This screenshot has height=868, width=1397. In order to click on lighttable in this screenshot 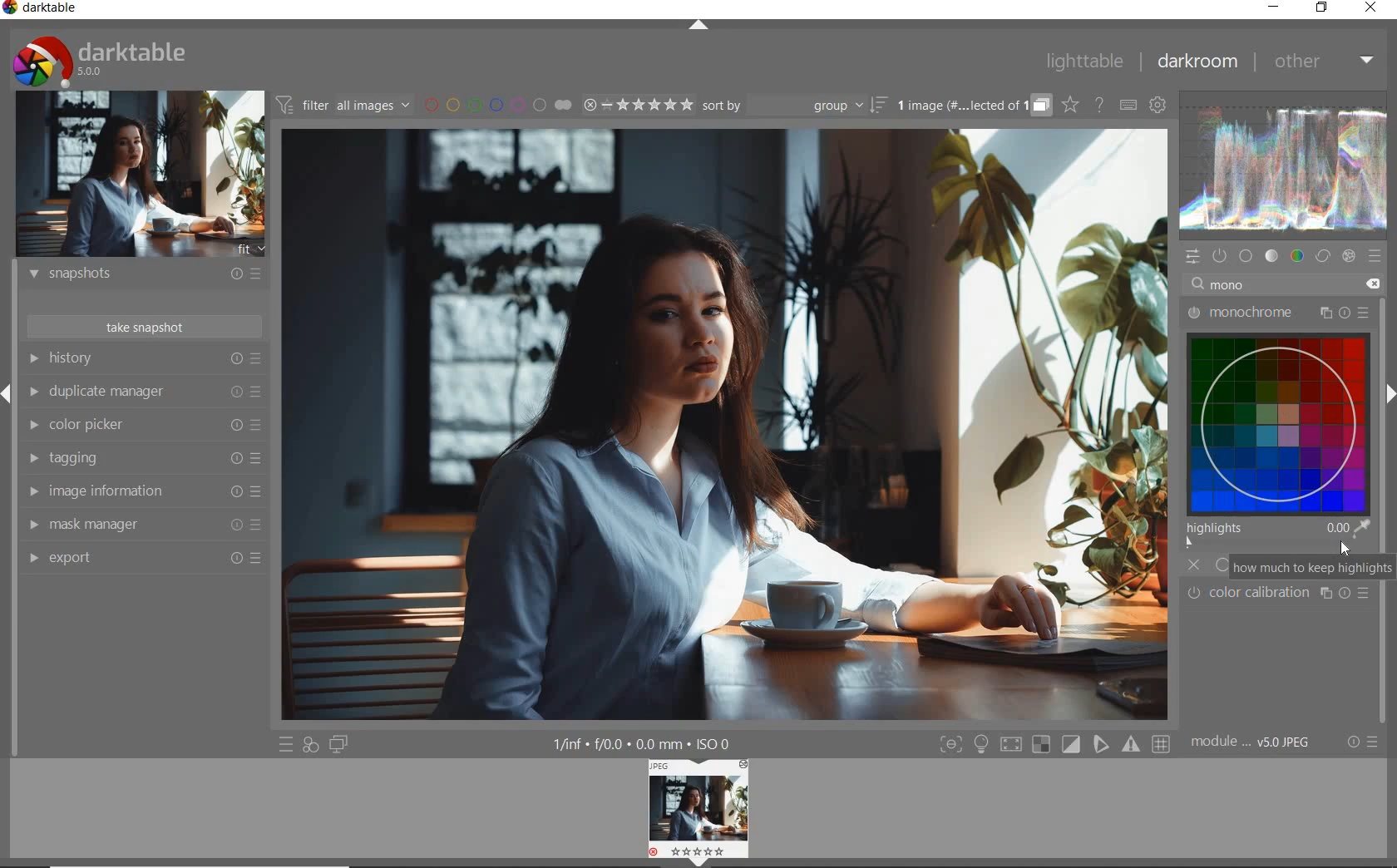, I will do `click(1084, 62)`.